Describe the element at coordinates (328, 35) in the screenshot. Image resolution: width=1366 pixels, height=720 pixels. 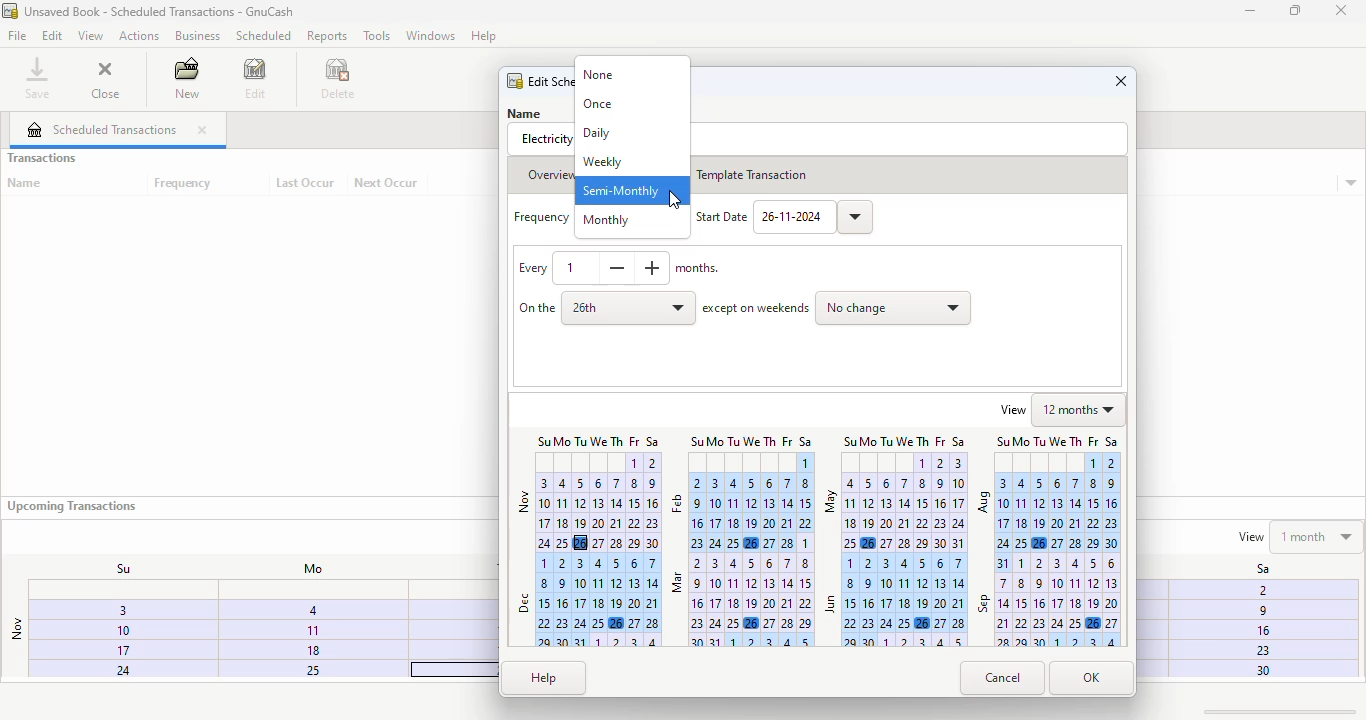
I see `reports` at that location.